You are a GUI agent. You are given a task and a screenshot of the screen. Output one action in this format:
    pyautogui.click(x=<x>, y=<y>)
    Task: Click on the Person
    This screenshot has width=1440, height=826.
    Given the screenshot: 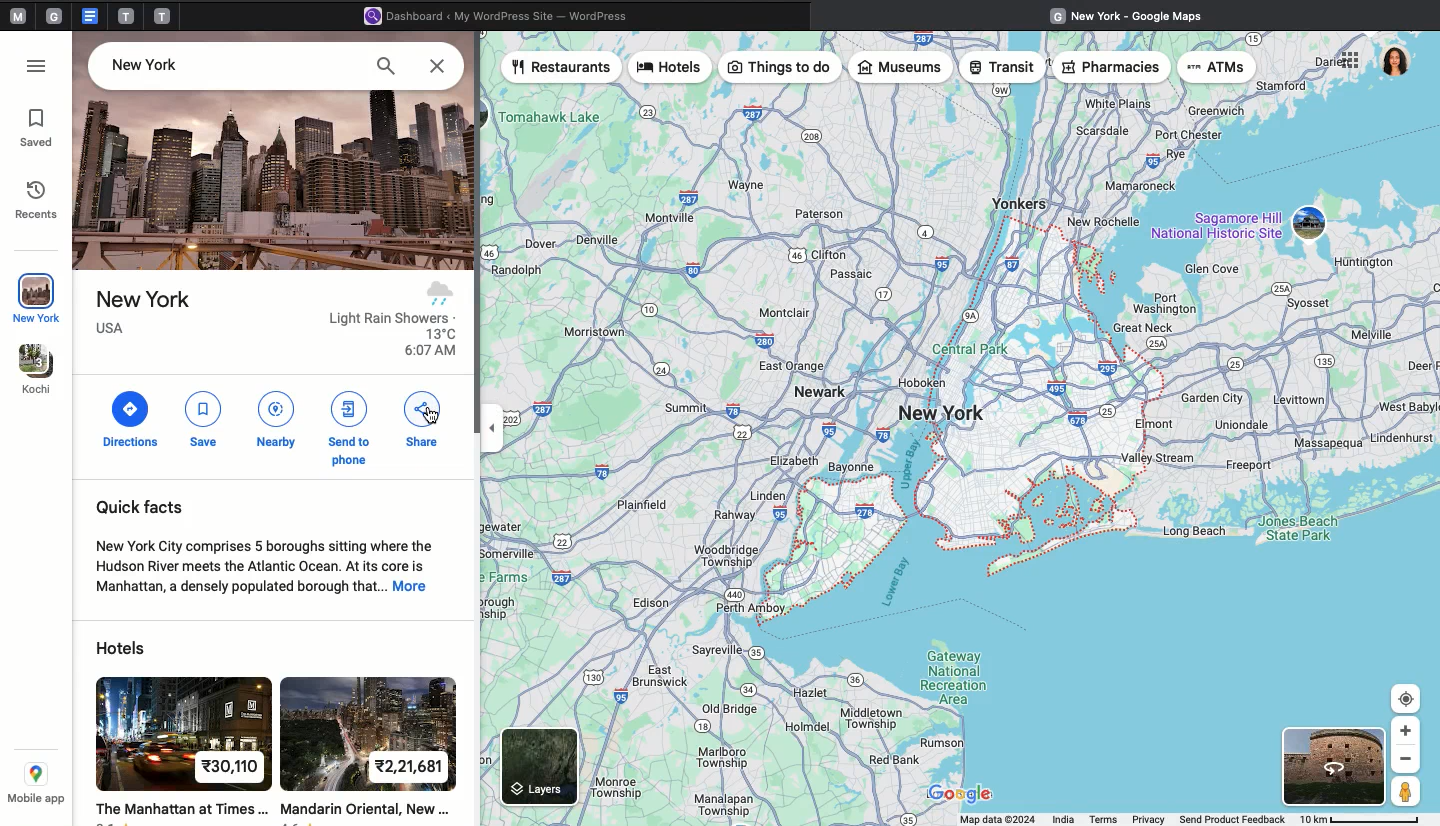 What is the action you would take?
    pyautogui.click(x=1408, y=794)
    